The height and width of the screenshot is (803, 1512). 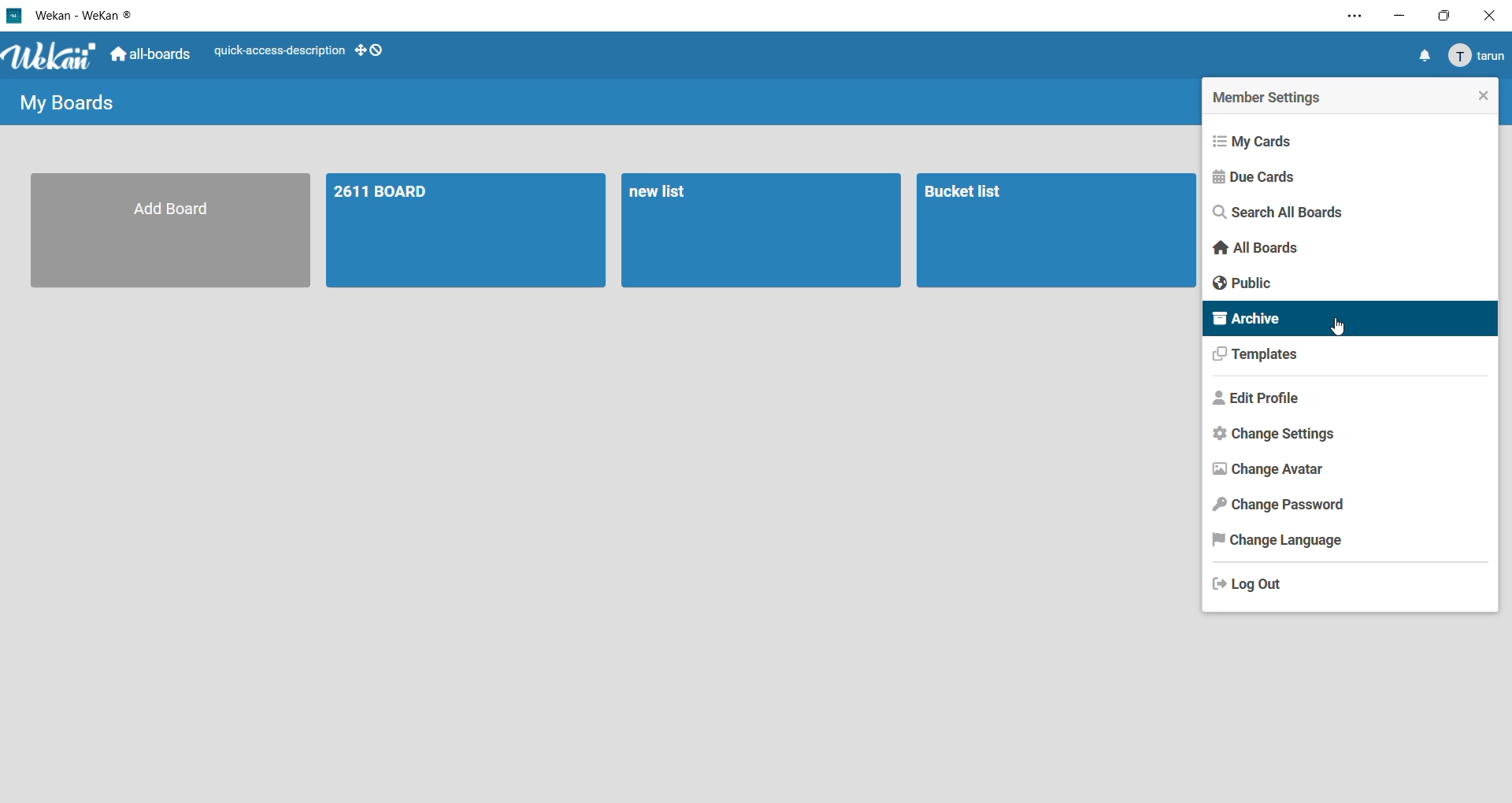 I want to click on settings, so click(x=1350, y=17).